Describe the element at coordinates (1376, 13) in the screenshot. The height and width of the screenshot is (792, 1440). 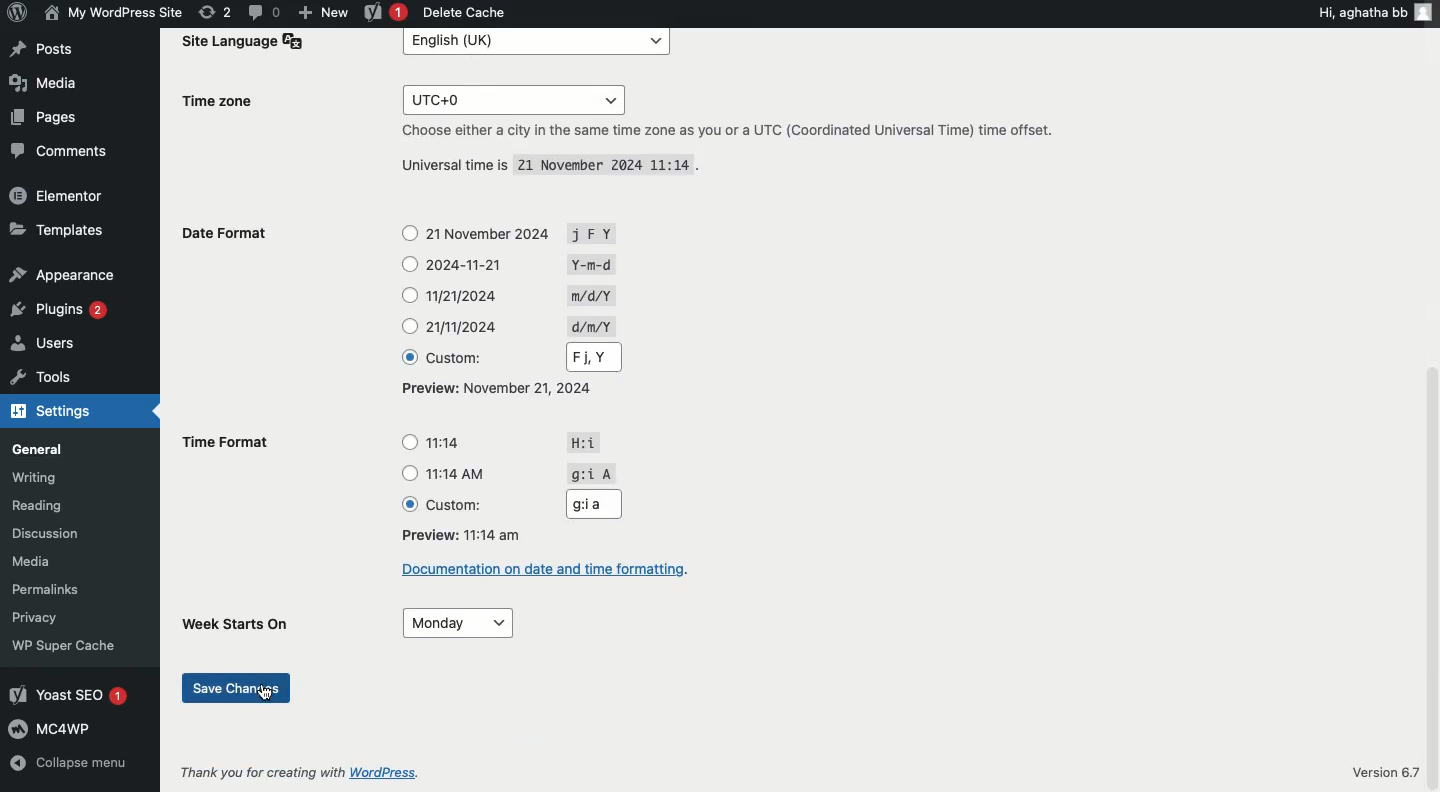
I see `Hi, aghatha bb` at that location.